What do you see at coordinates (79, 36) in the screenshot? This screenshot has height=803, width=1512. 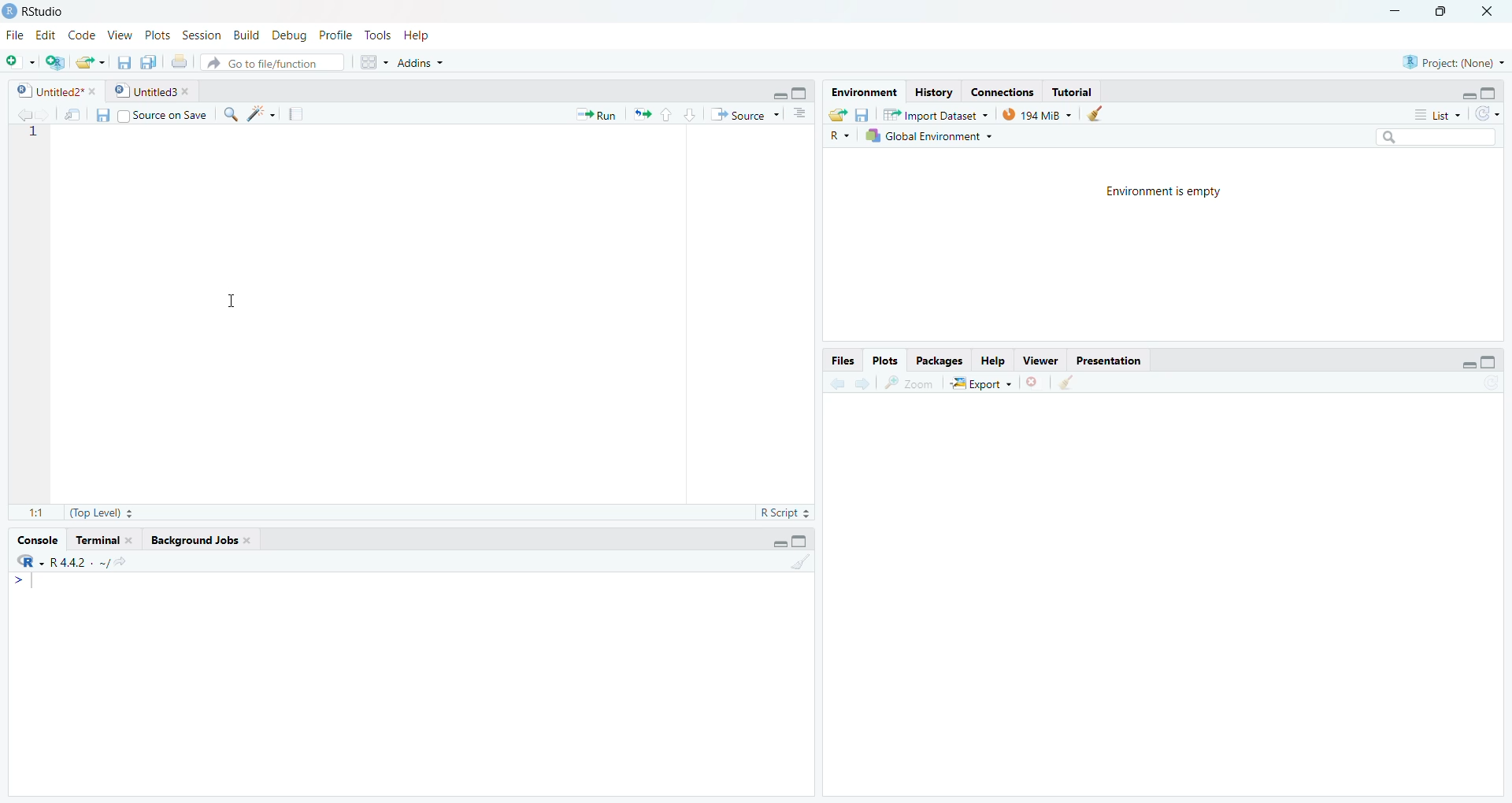 I see `Code` at bounding box center [79, 36].